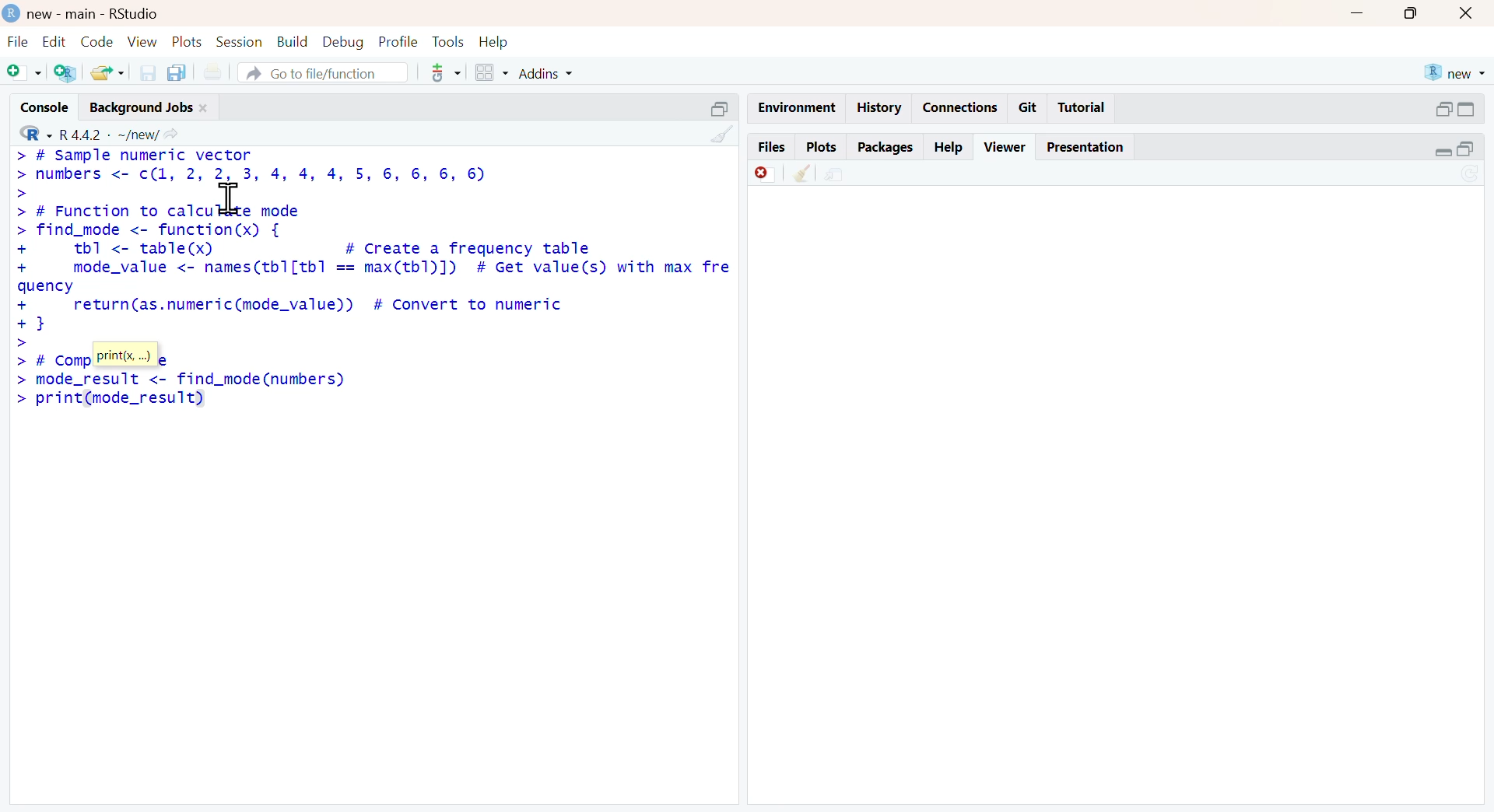 The height and width of the screenshot is (812, 1494). I want to click on share, so click(835, 175).